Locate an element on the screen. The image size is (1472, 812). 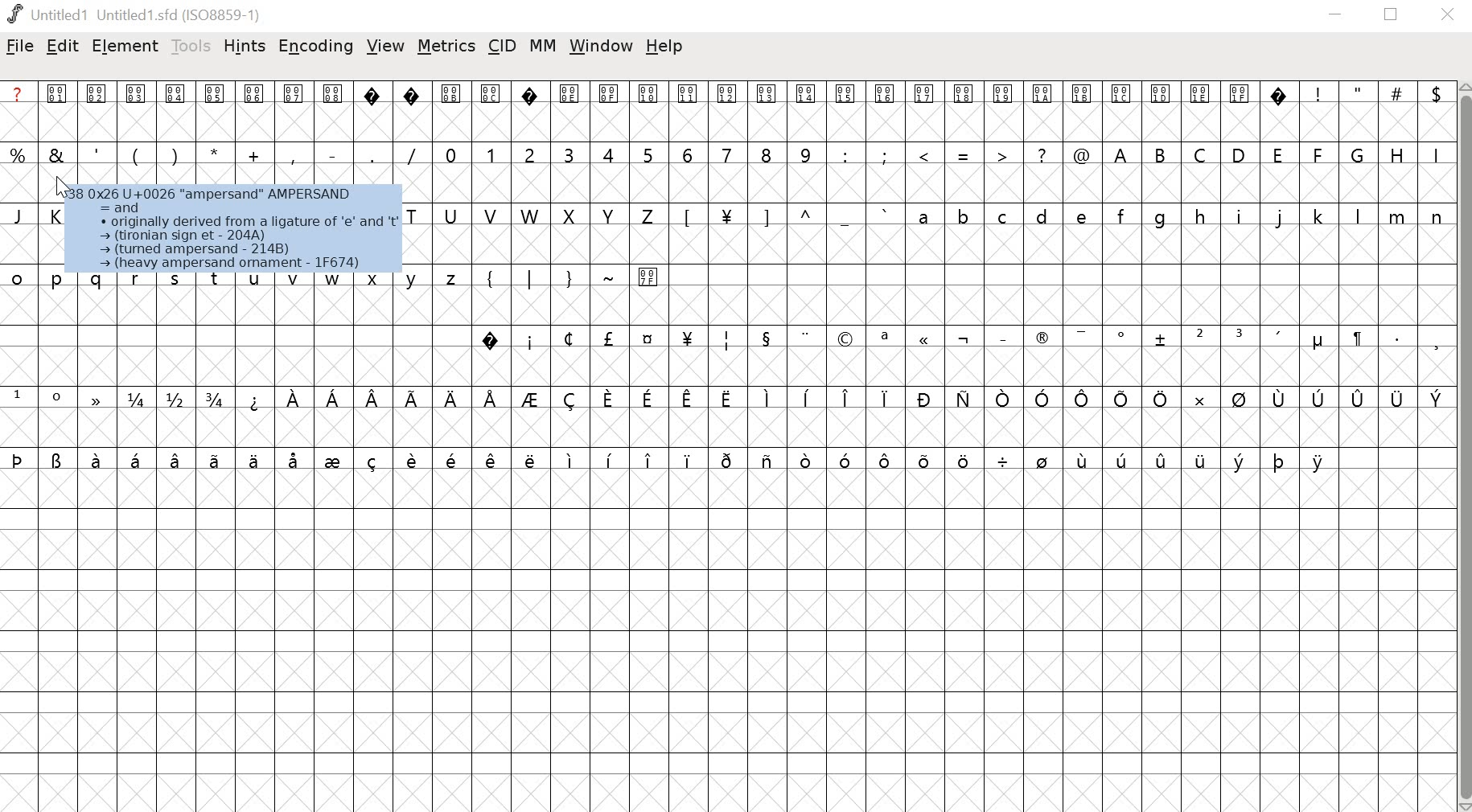
symbol is located at coordinates (294, 399).